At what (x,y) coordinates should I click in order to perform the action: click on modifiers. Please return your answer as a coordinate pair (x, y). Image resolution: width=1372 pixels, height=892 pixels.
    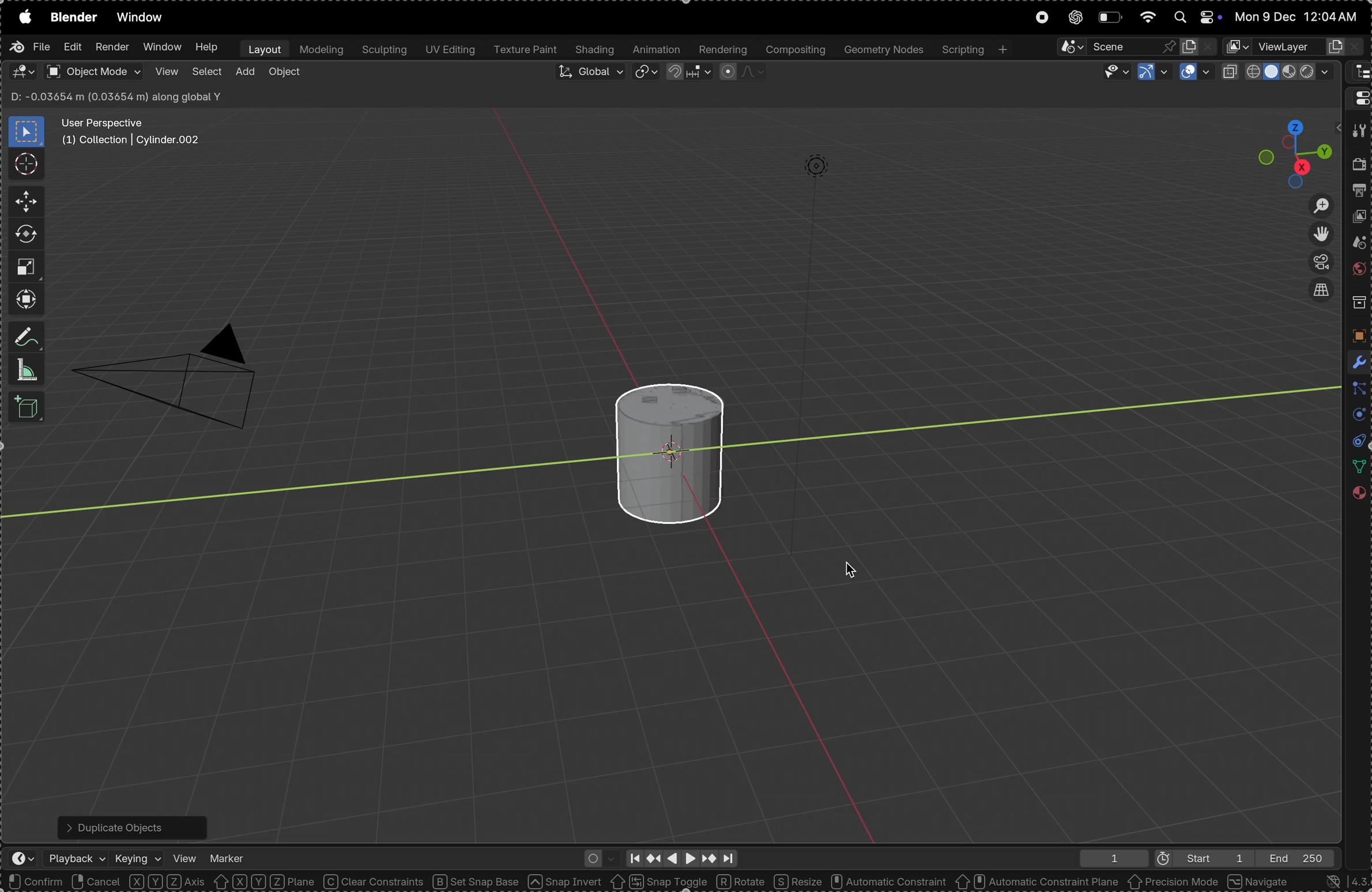
    Looking at the image, I should click on (1356, 361).